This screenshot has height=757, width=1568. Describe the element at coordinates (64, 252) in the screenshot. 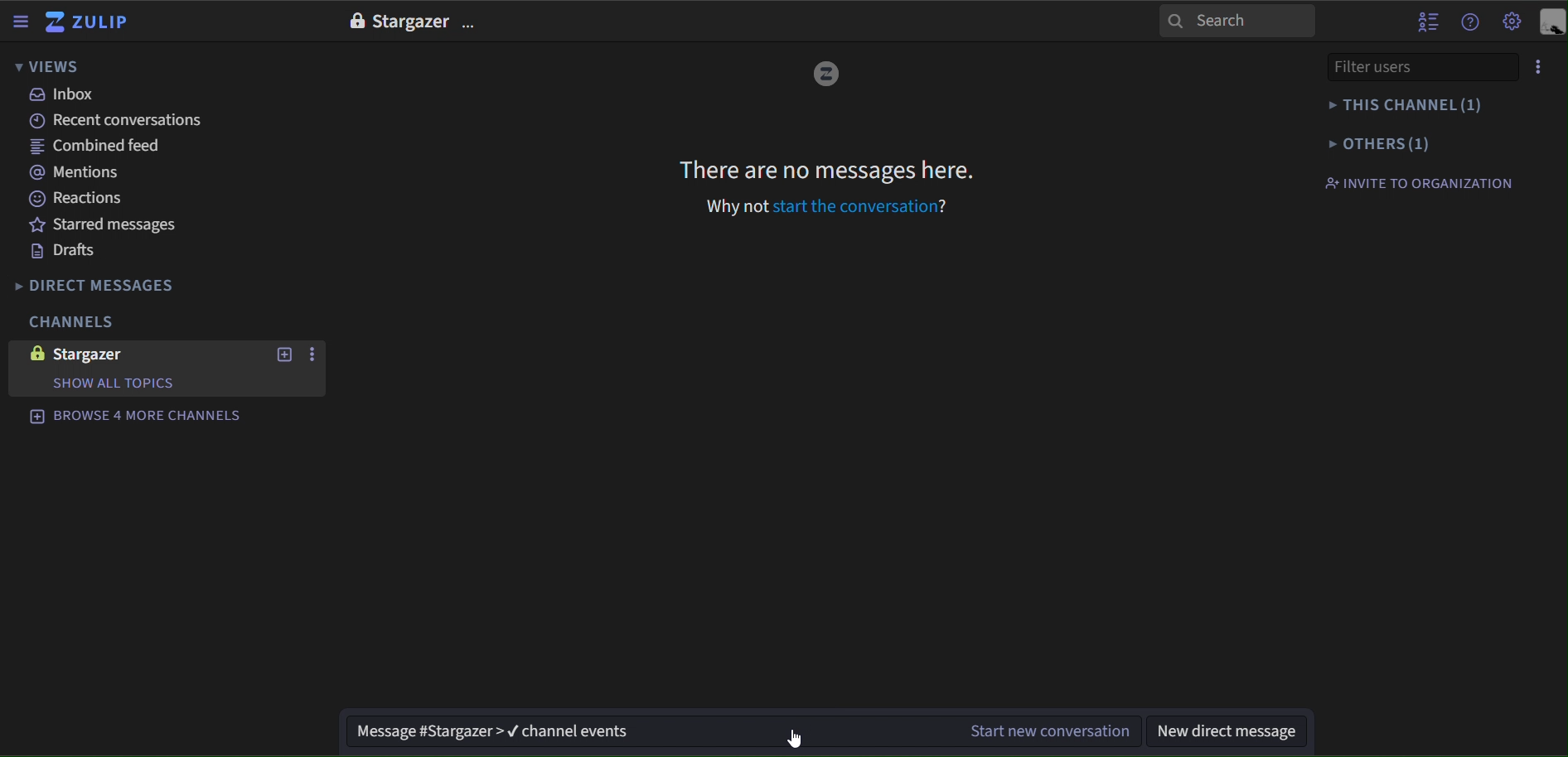

I see `drafts` at that location.